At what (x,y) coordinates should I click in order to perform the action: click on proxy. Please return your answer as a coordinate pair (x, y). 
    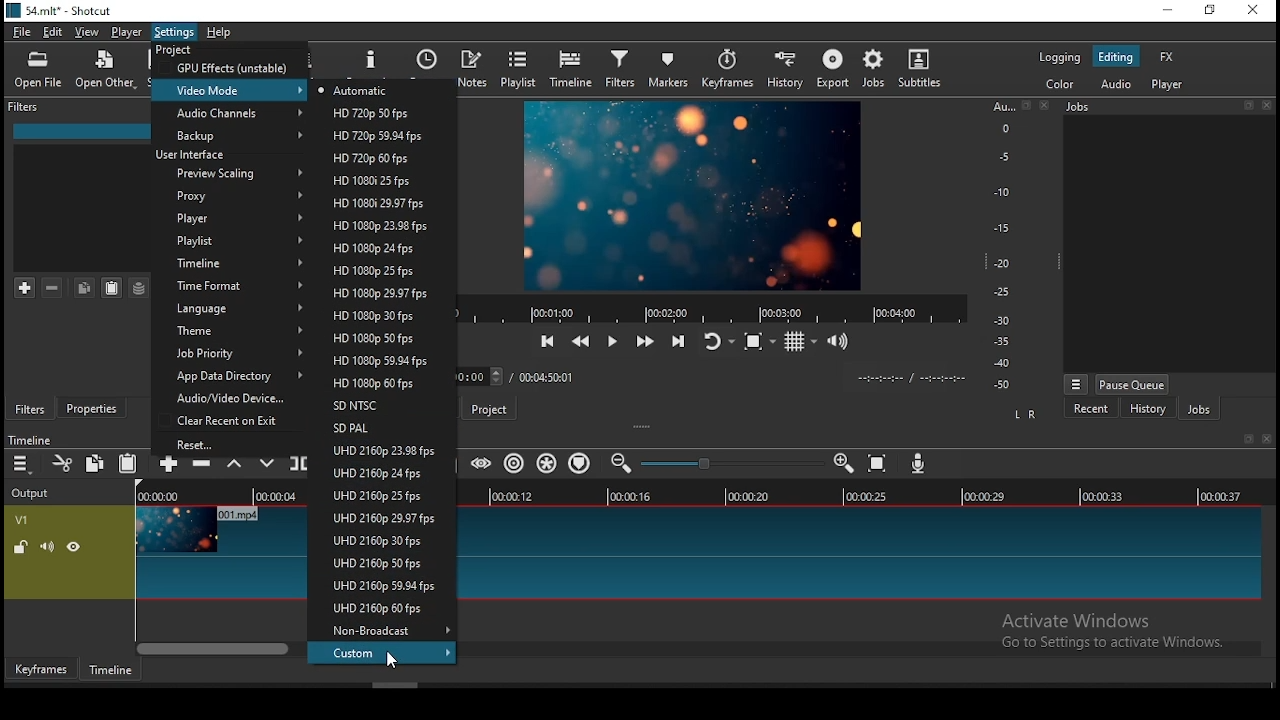
    Looking at the image, I should click on (226, 196).